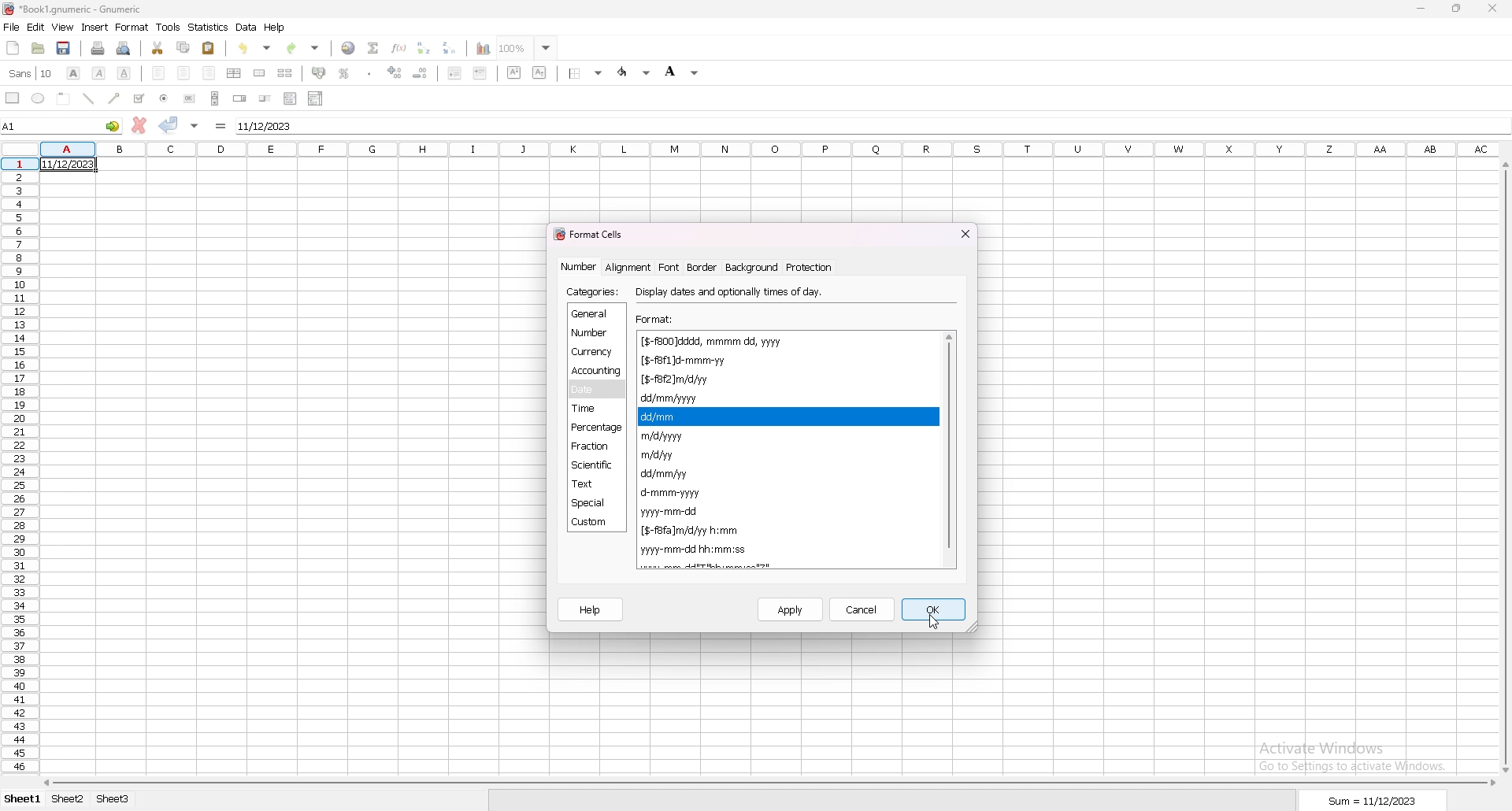  Describe the element at coordinates (810, 267) in the screenshot. I see `protection` at that location.